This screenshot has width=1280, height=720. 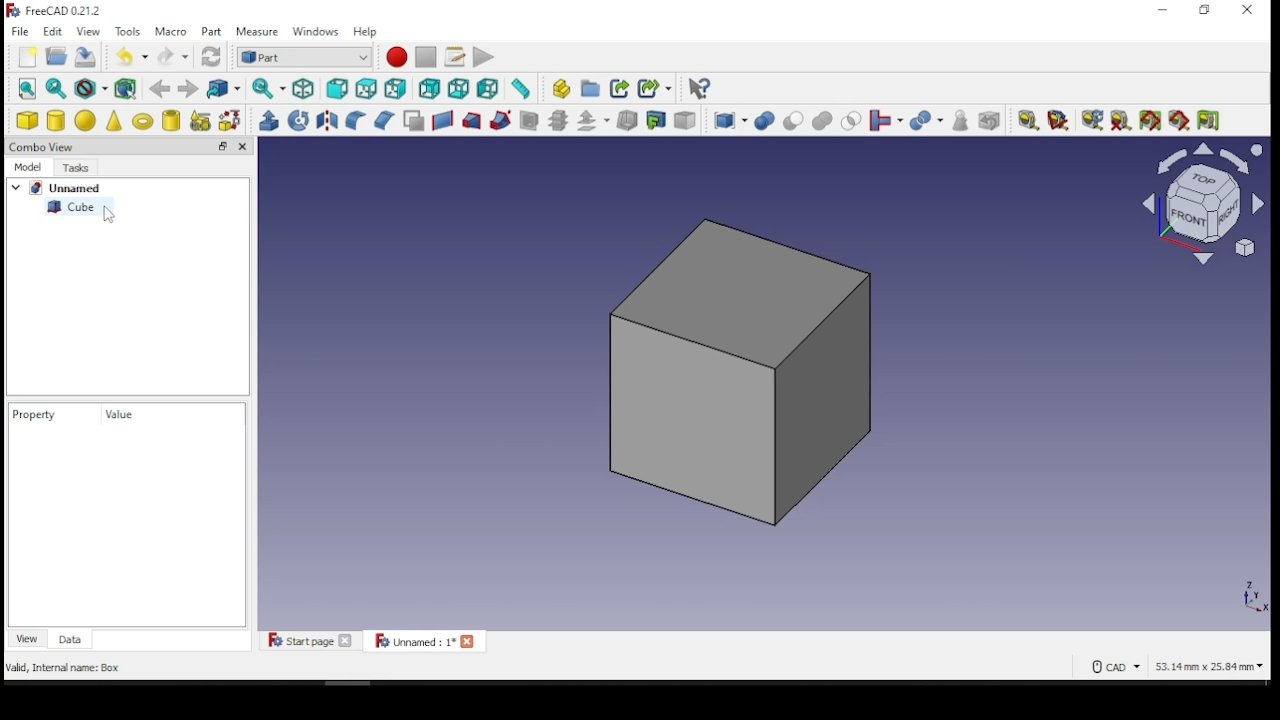 I want to click on cube, so click(x=80, y=206).